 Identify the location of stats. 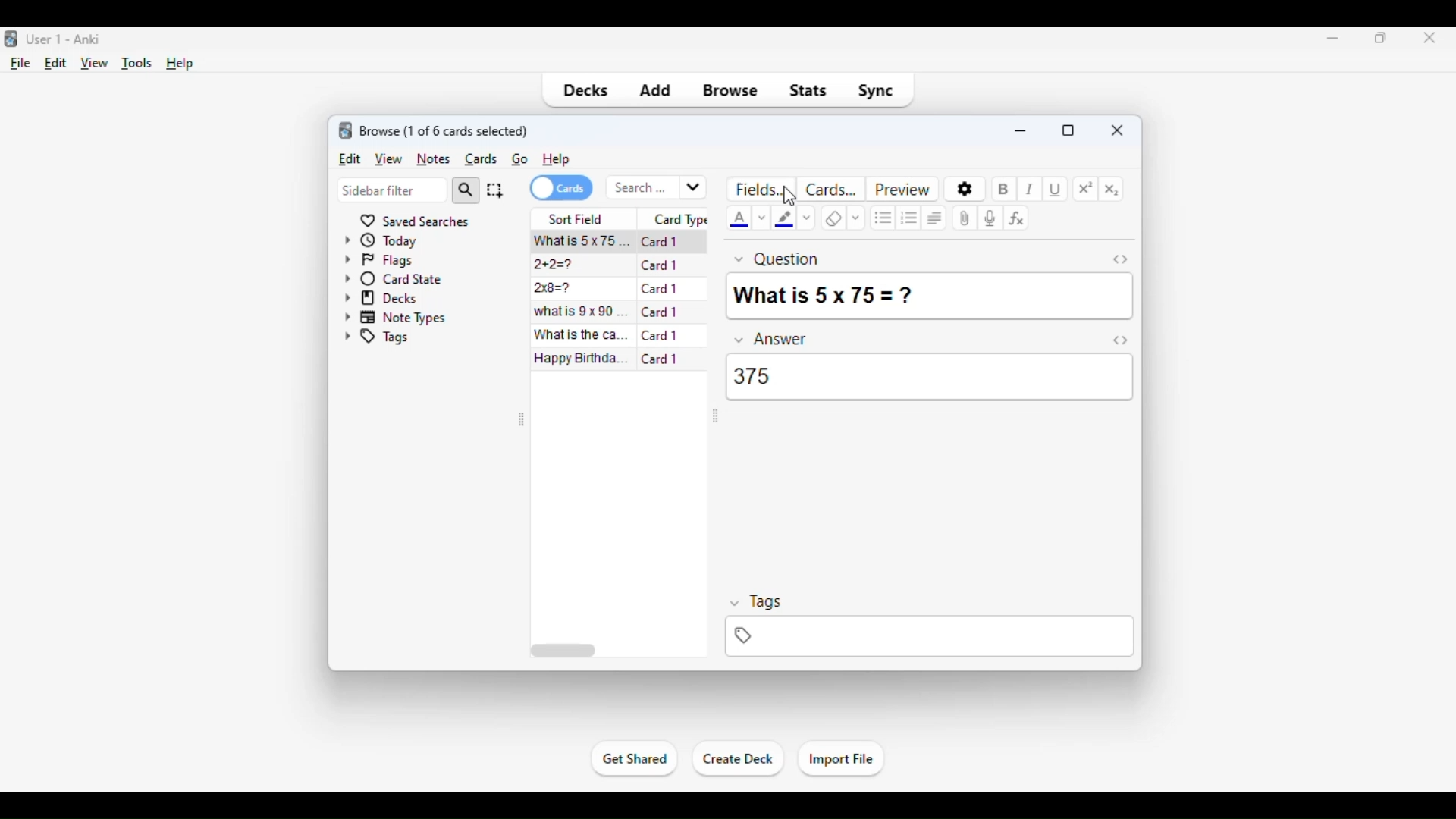
(808, 91).